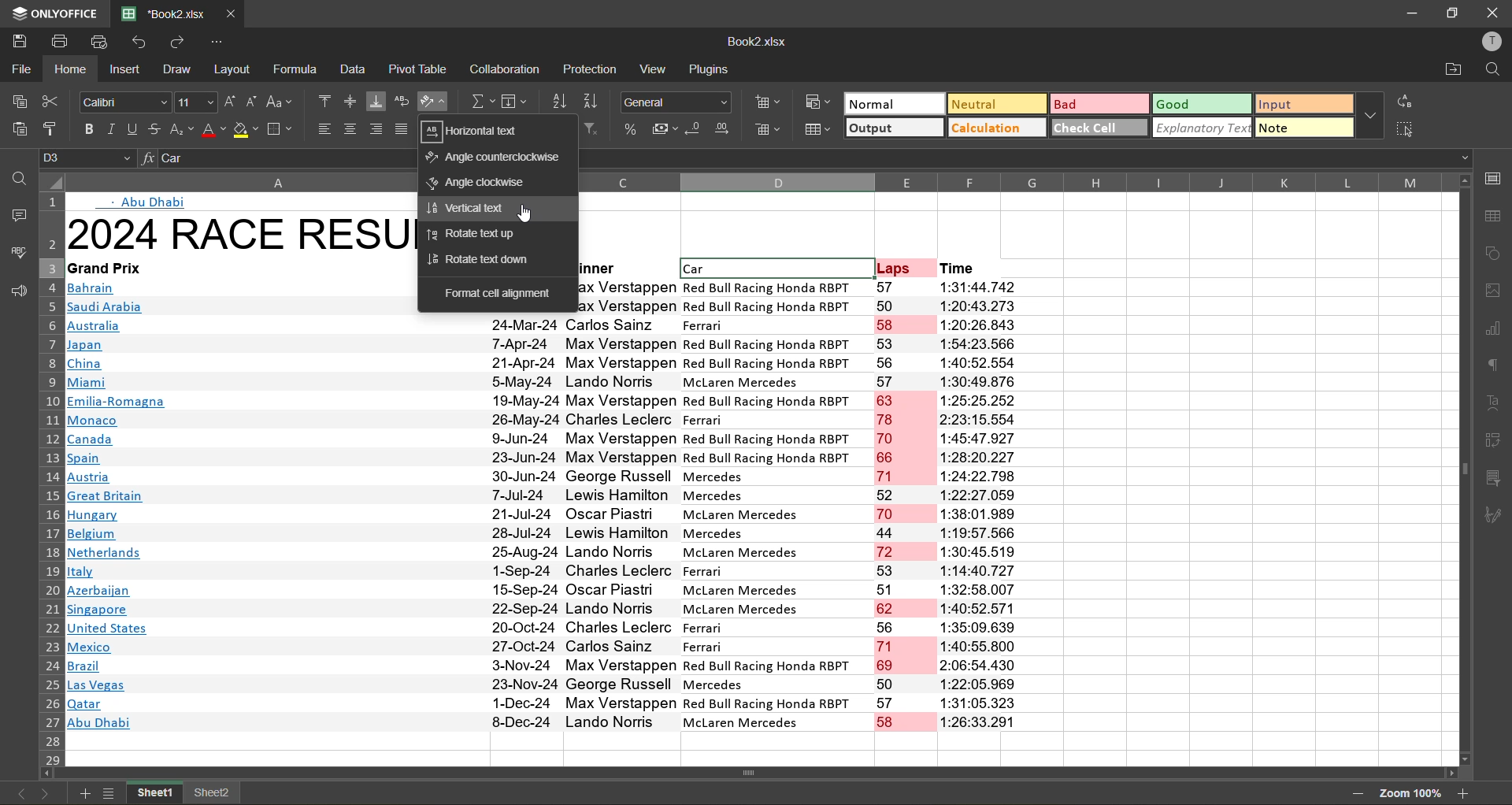 The image size is (1512, 805). Describe the element at coordinates (666, 129) in the screenshot. I see `accounting` at that location.